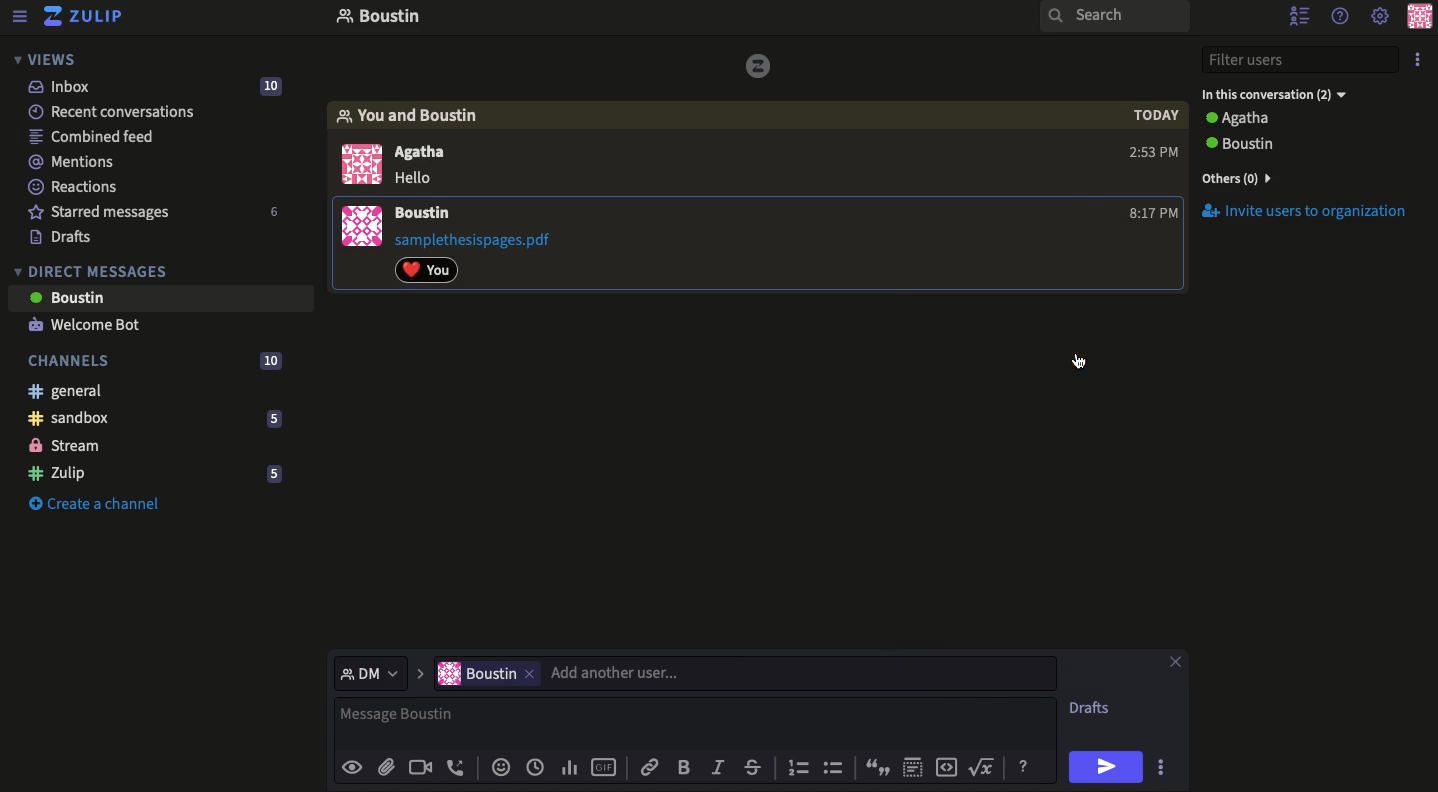 Image resolution: width=1438 pixels, height=792 pixels. Describe the element at coordinates (604, 765) in the screenshot. I see `GIF` at that location.